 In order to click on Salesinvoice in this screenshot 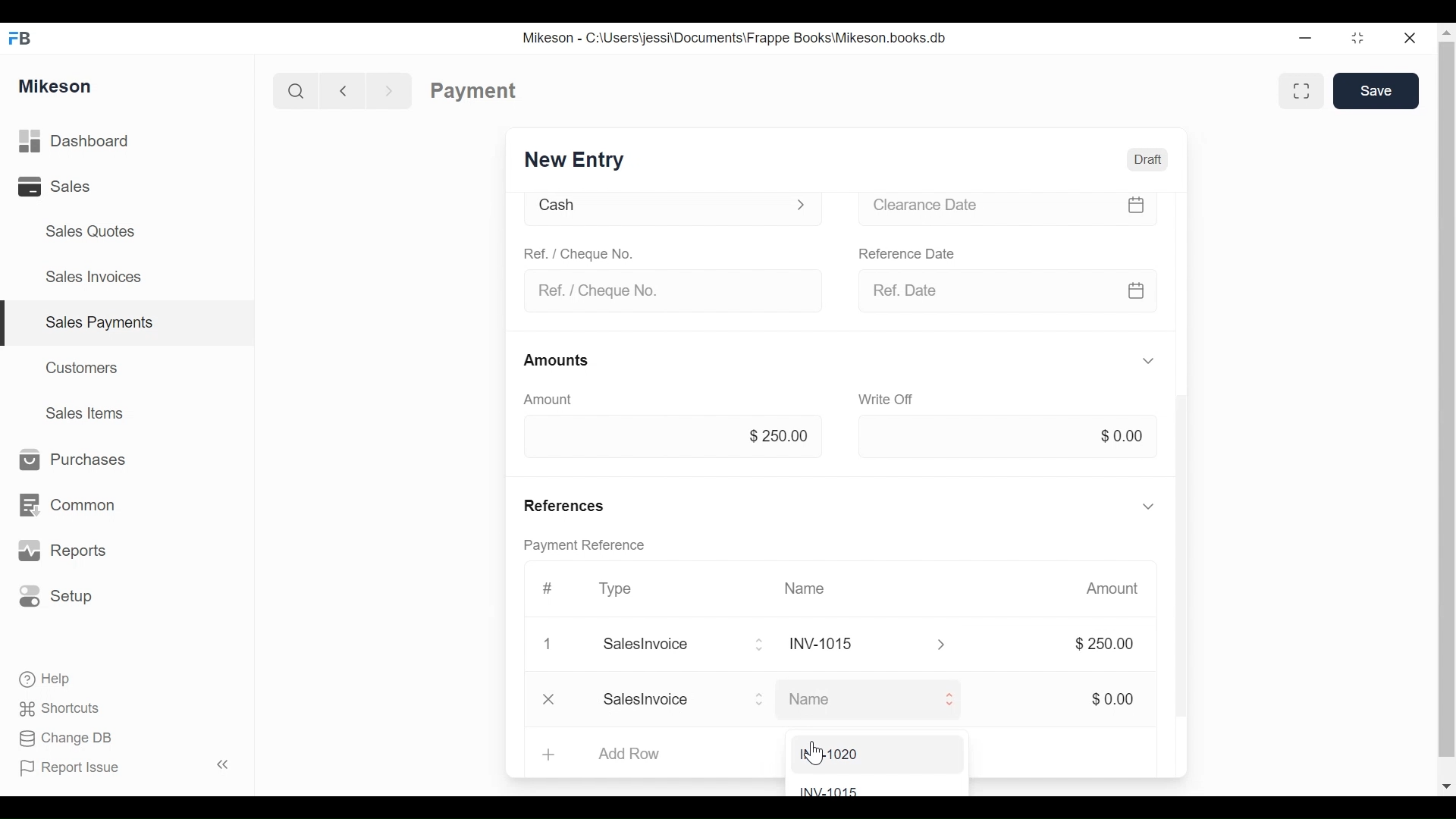, I will do `click(691, 645)`.